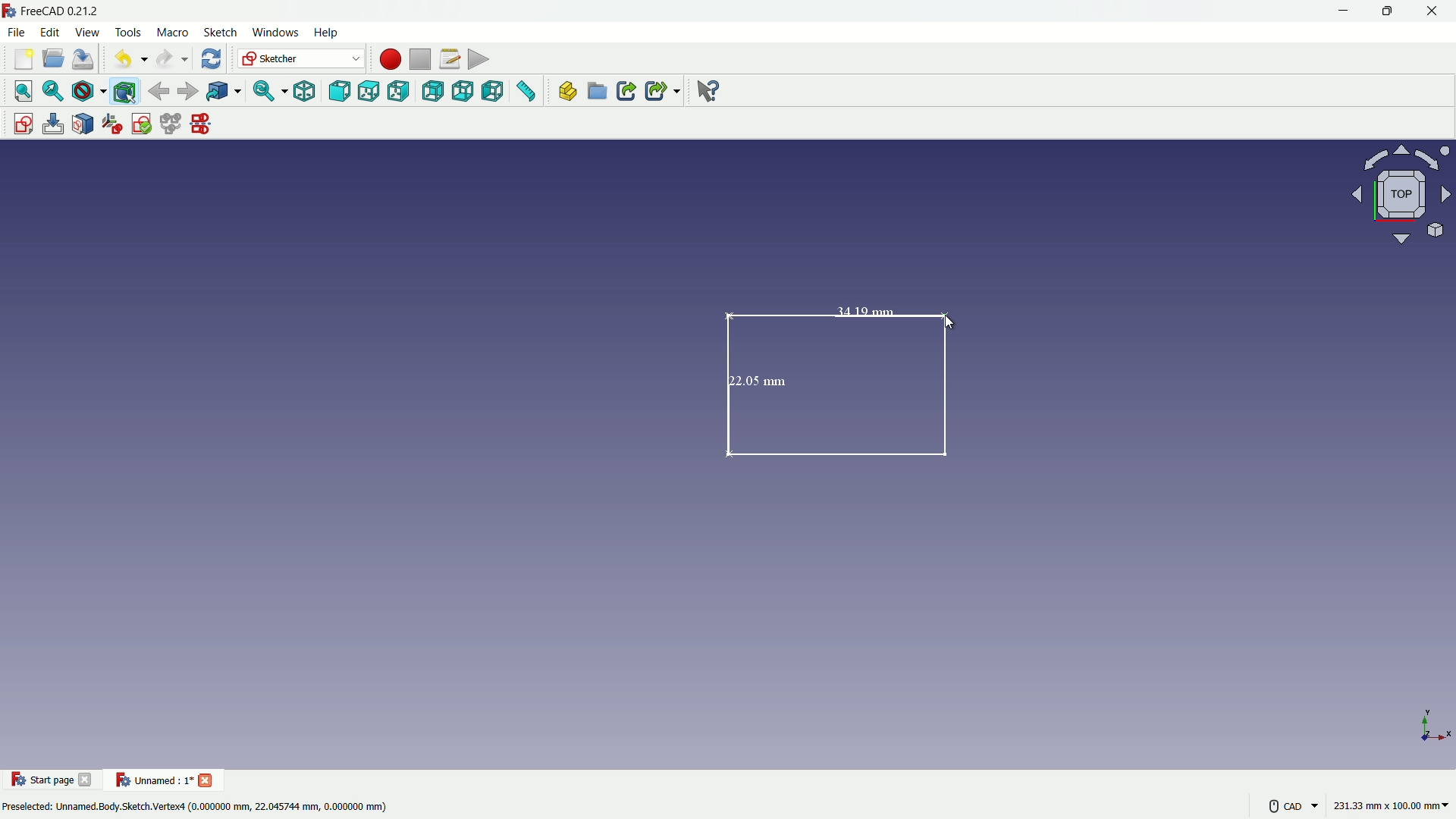  I want to click on validate sketches, so click(143, 124).